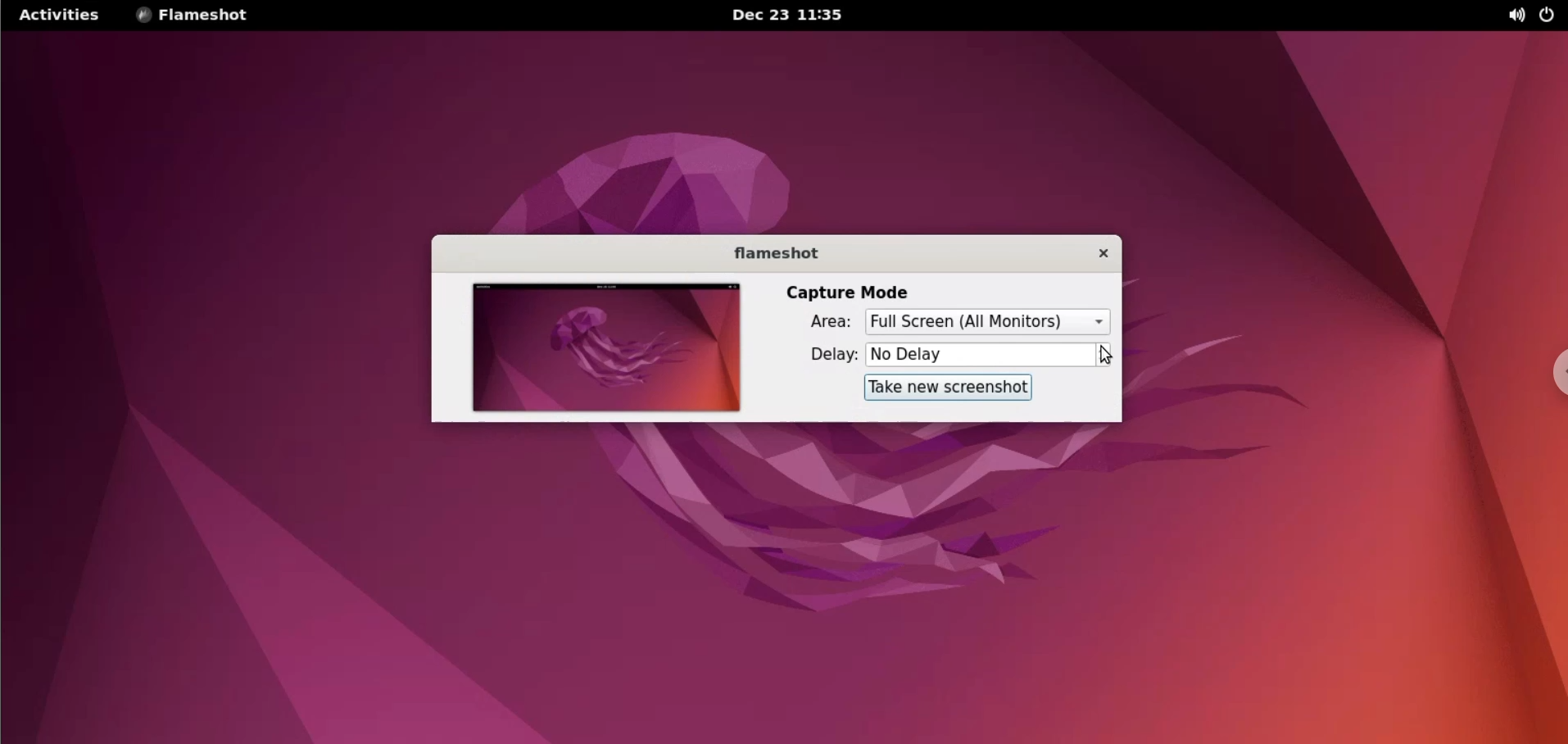 This screenshot has width=1568, height=744. What do you see at coordinates (838, 293) in the screenshot?
I see `capture mode` at bounding box center [838, 293].